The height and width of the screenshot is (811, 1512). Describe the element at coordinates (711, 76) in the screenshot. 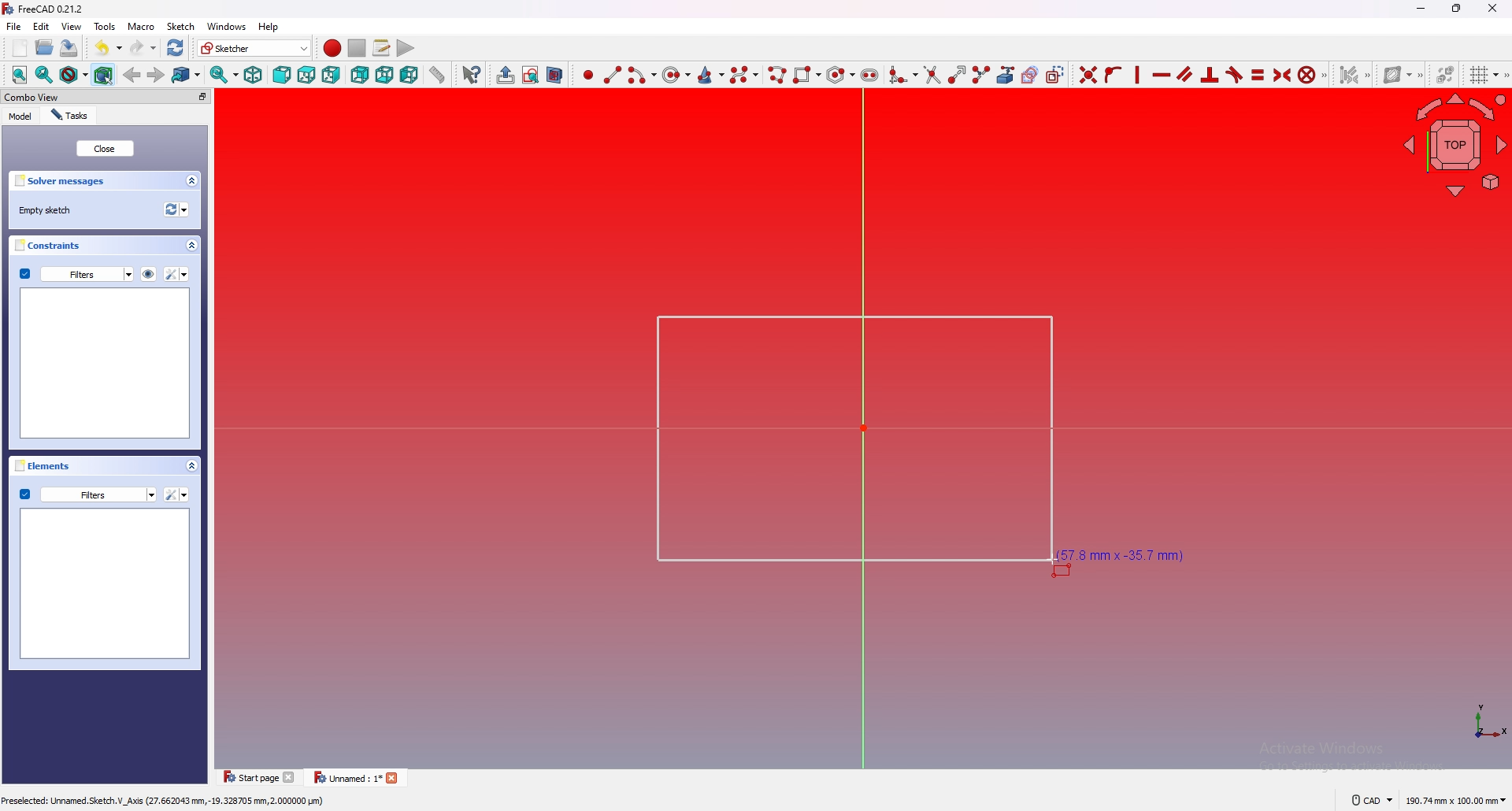

I see `create conic` at that location.